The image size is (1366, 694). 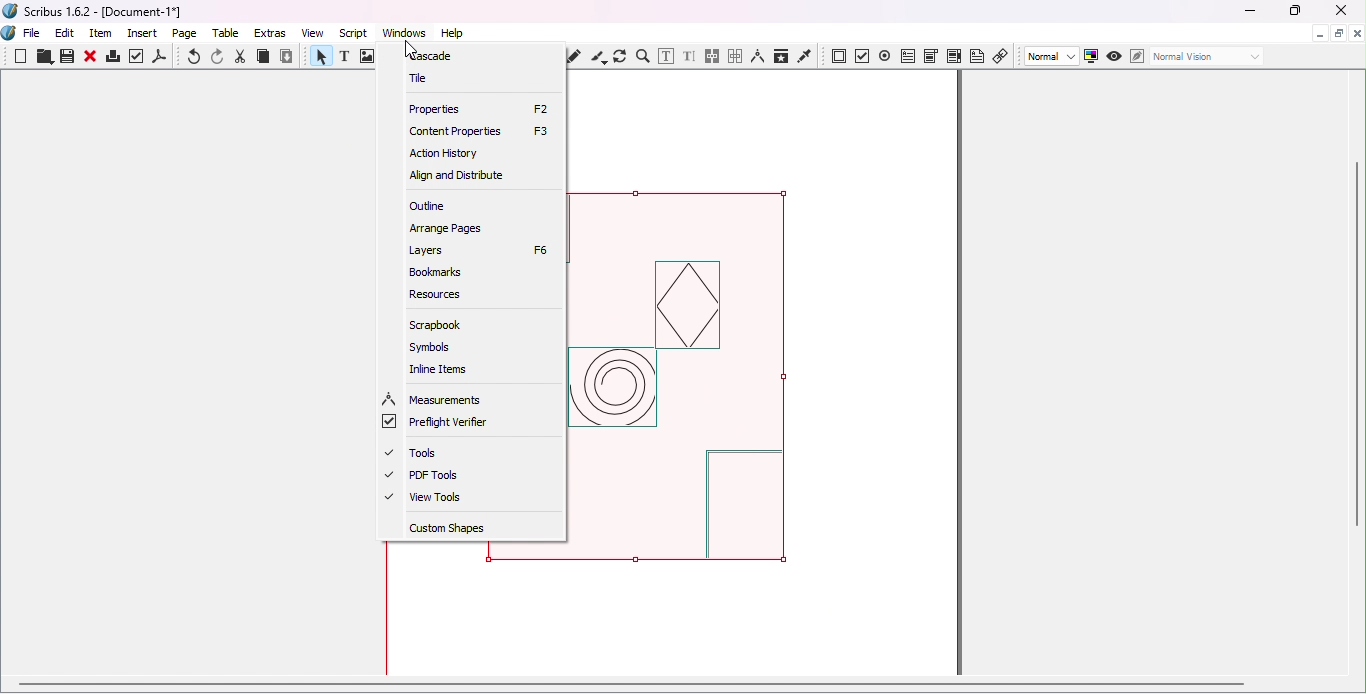 What do you see at coordinates (1249, 12) in the screenshot?
I see `Minimize` at bounding box center [1249, 12].